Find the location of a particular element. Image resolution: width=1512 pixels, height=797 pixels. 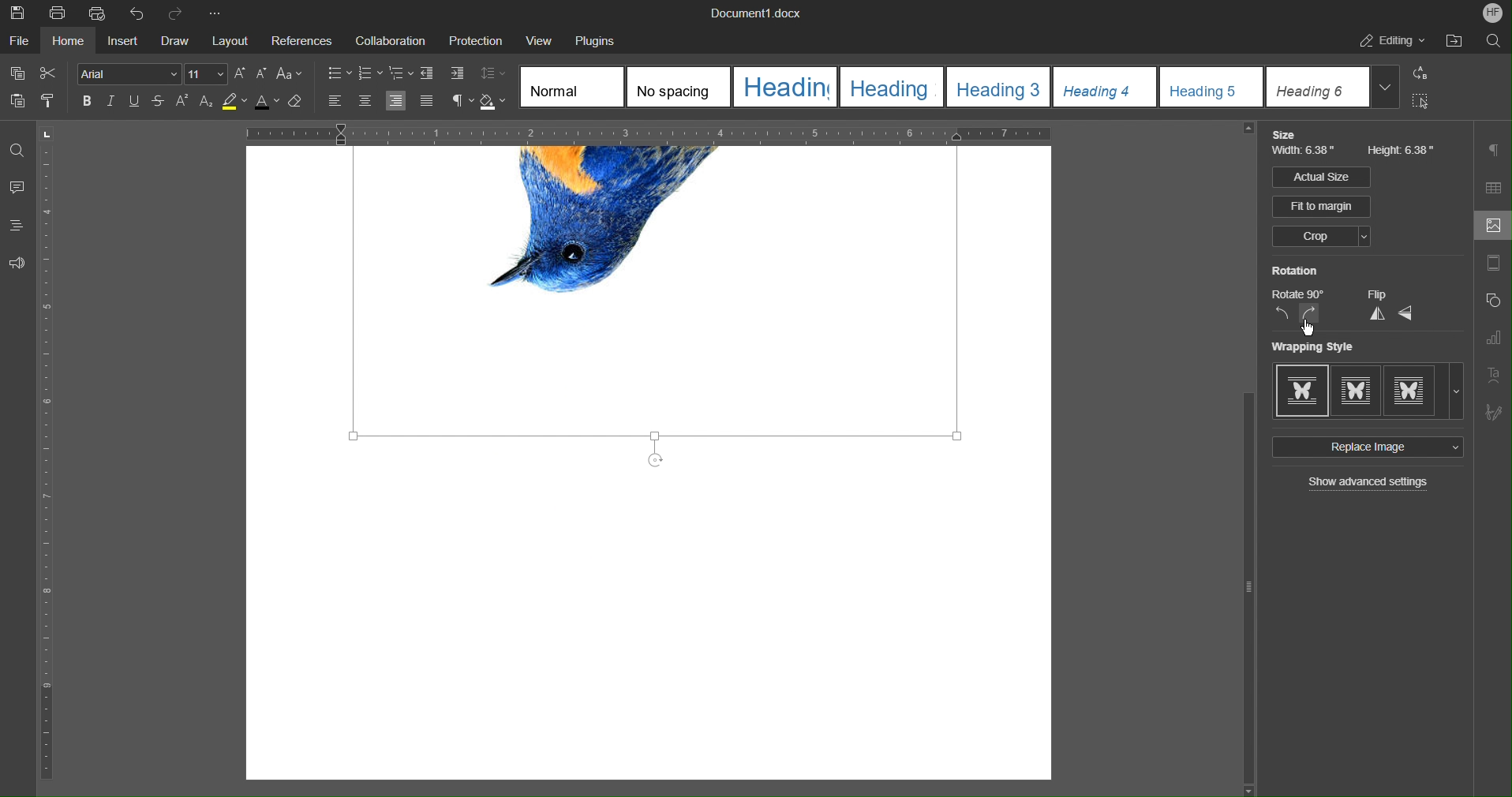

Underline is located at coordinates (135, 102).